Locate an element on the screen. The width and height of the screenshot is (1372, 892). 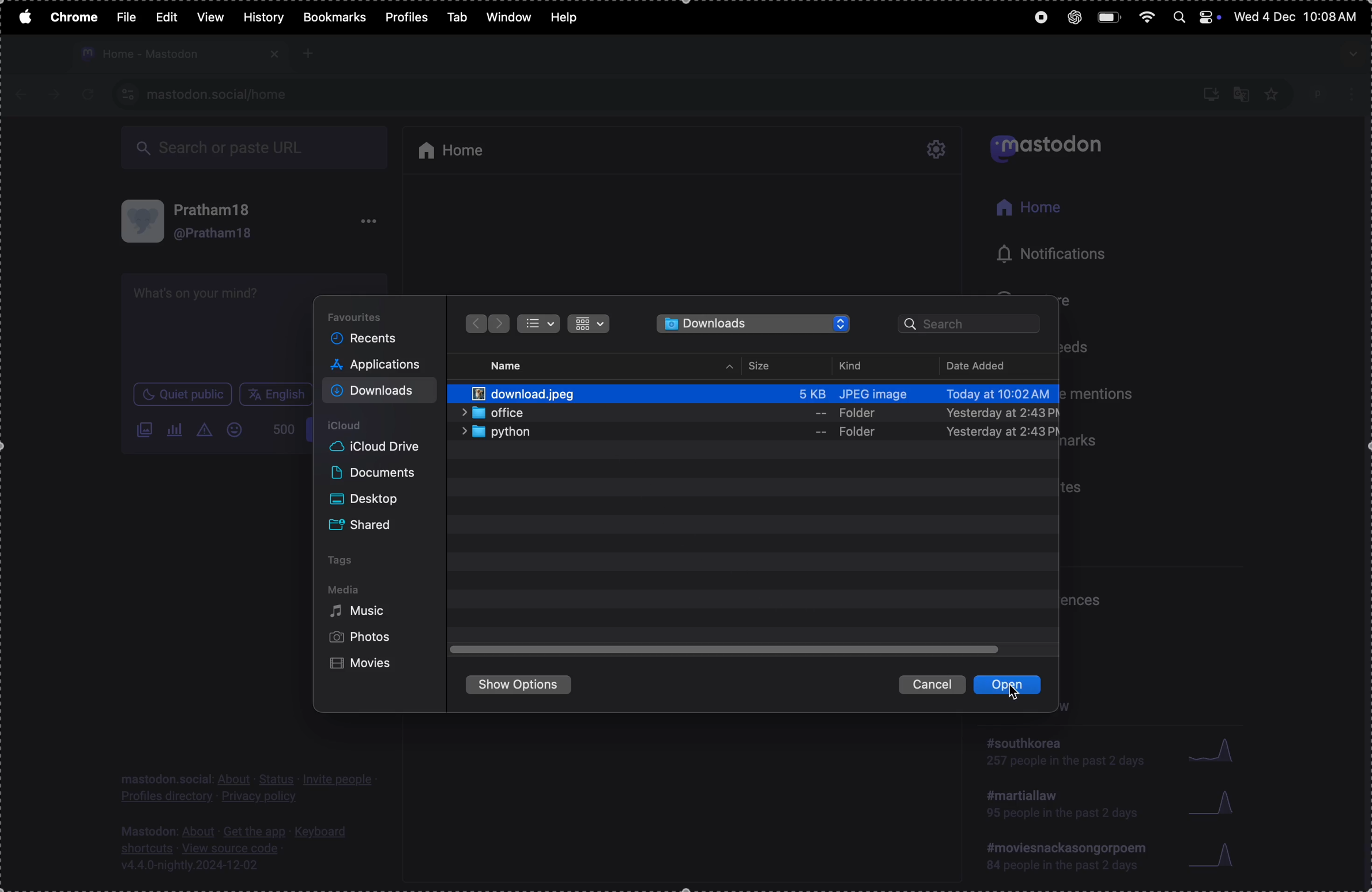
Graph is located at coordinates (1213, 750).